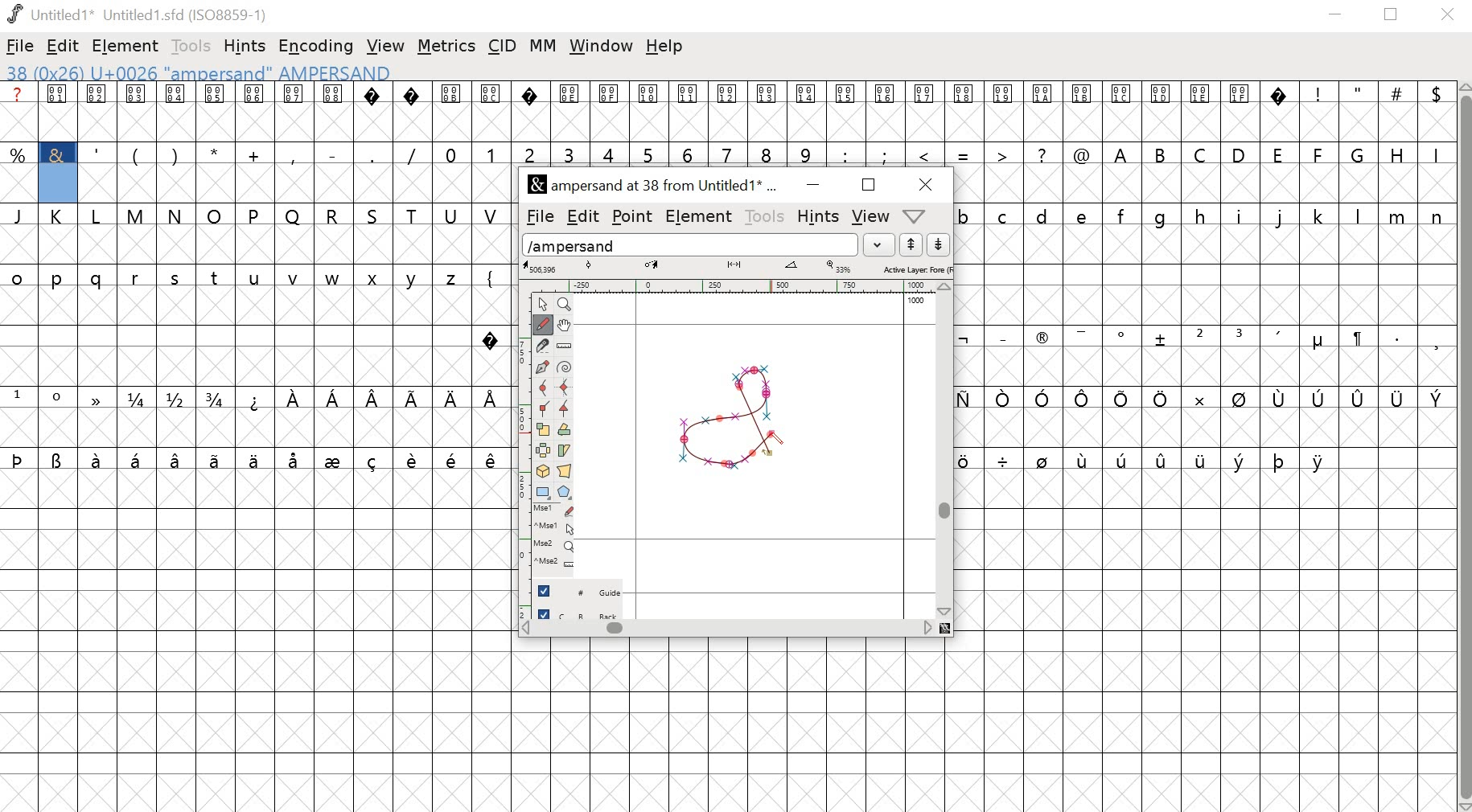  What do you see at coordinates (582, 215) in the screenshot?
I see `edit` at bounding box center [582, 215].